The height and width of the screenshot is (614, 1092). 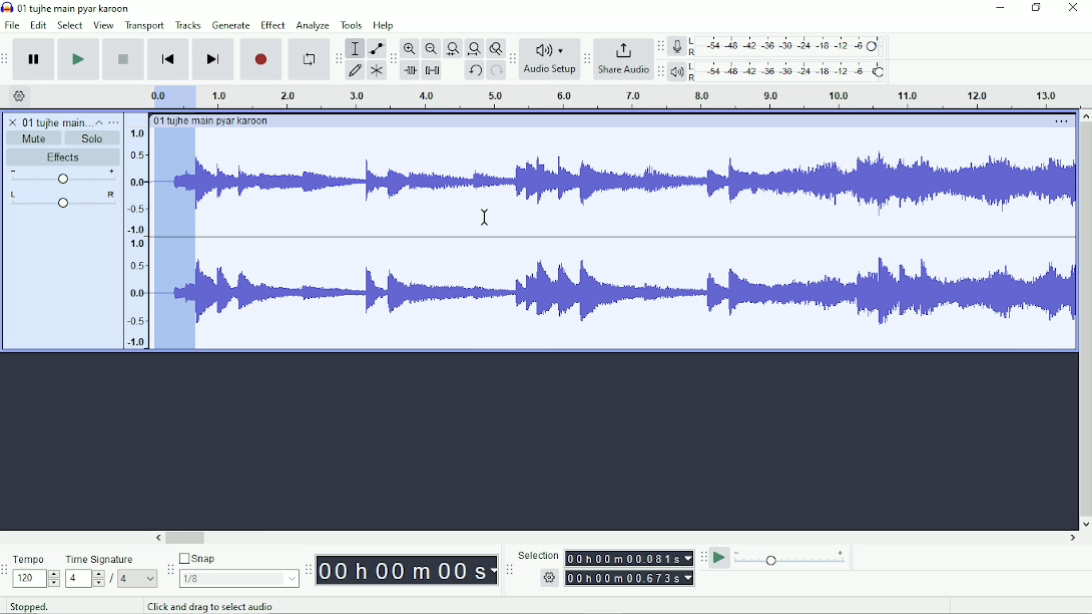 What do you see at coordinates (355, 47) in the screenshot?
I see `Selection tool` at bounding box center [355, 47].